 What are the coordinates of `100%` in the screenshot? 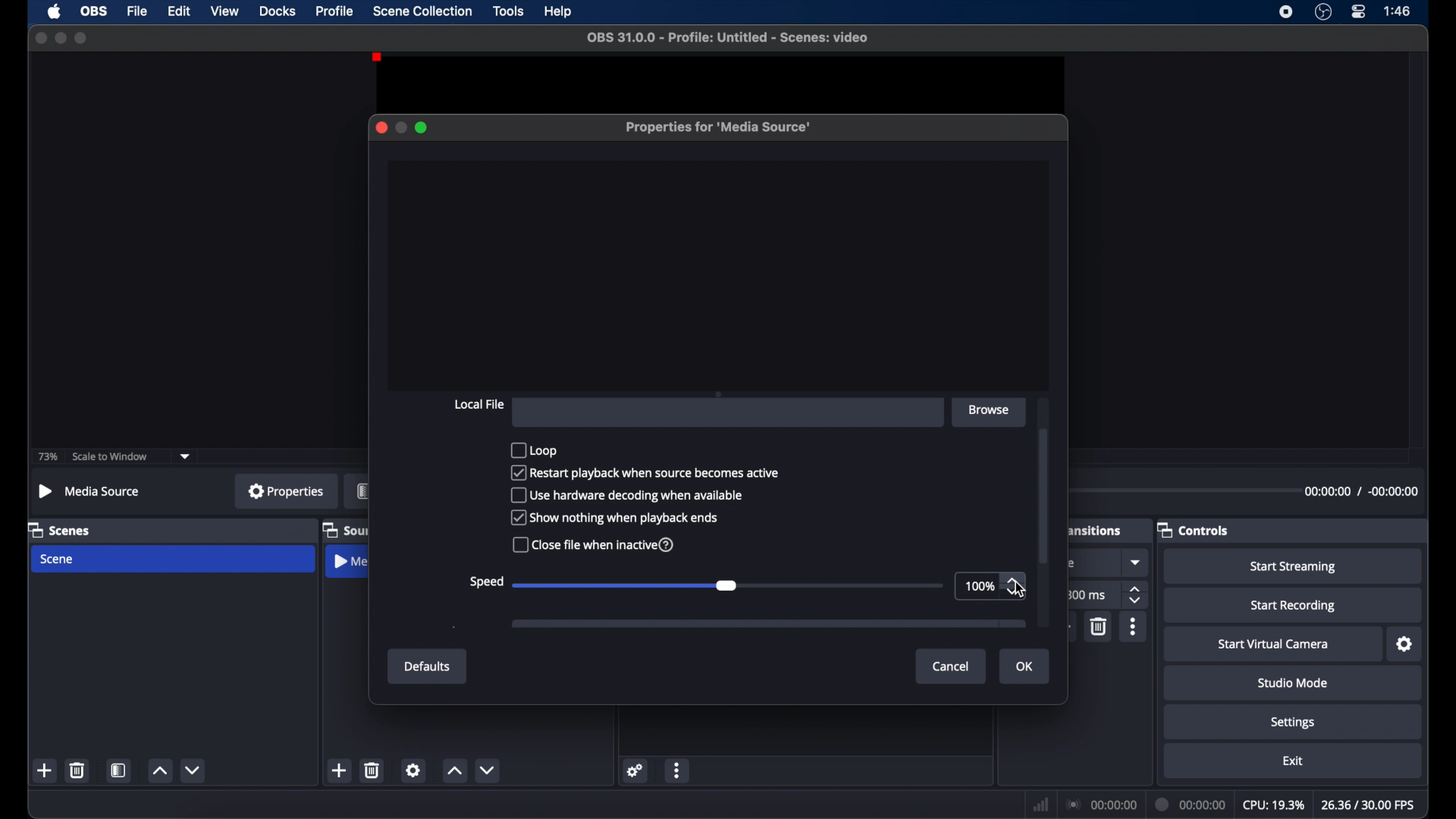 It's located at (980, 585).